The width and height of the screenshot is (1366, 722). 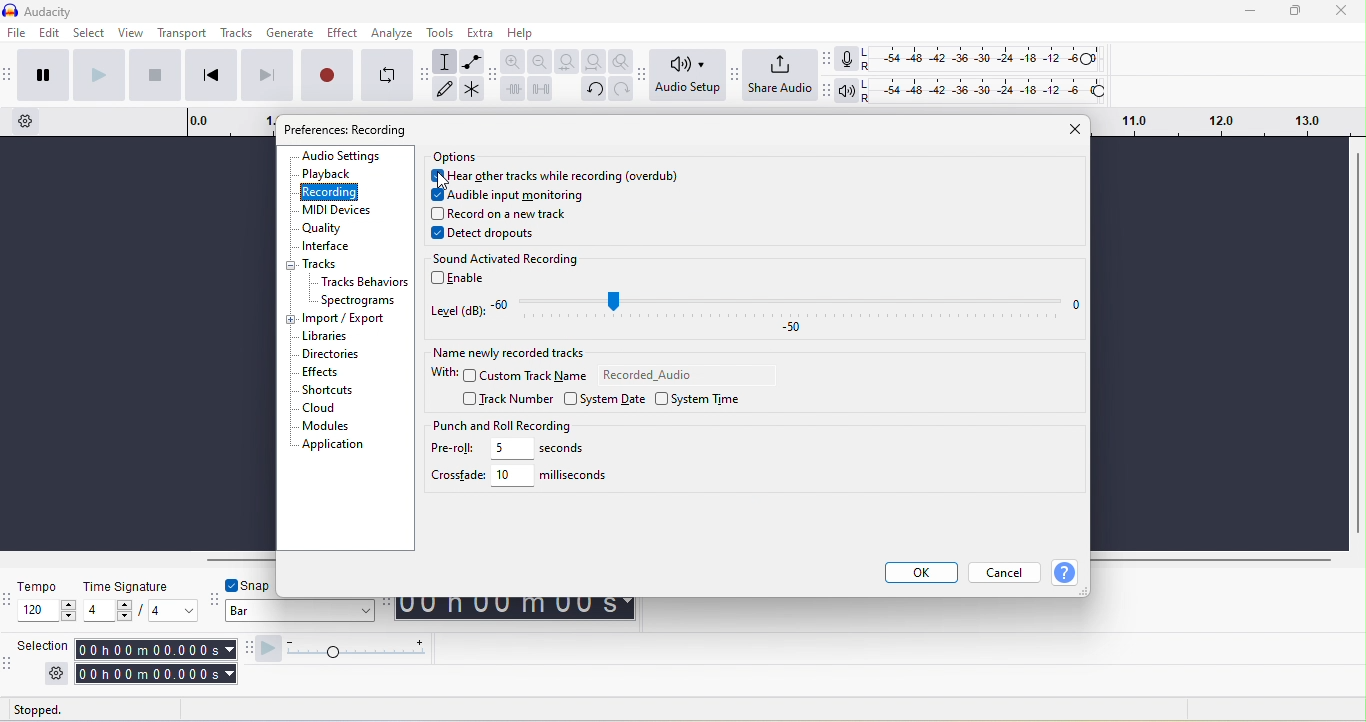 I want to click on interface, so click(x=324, y=247).